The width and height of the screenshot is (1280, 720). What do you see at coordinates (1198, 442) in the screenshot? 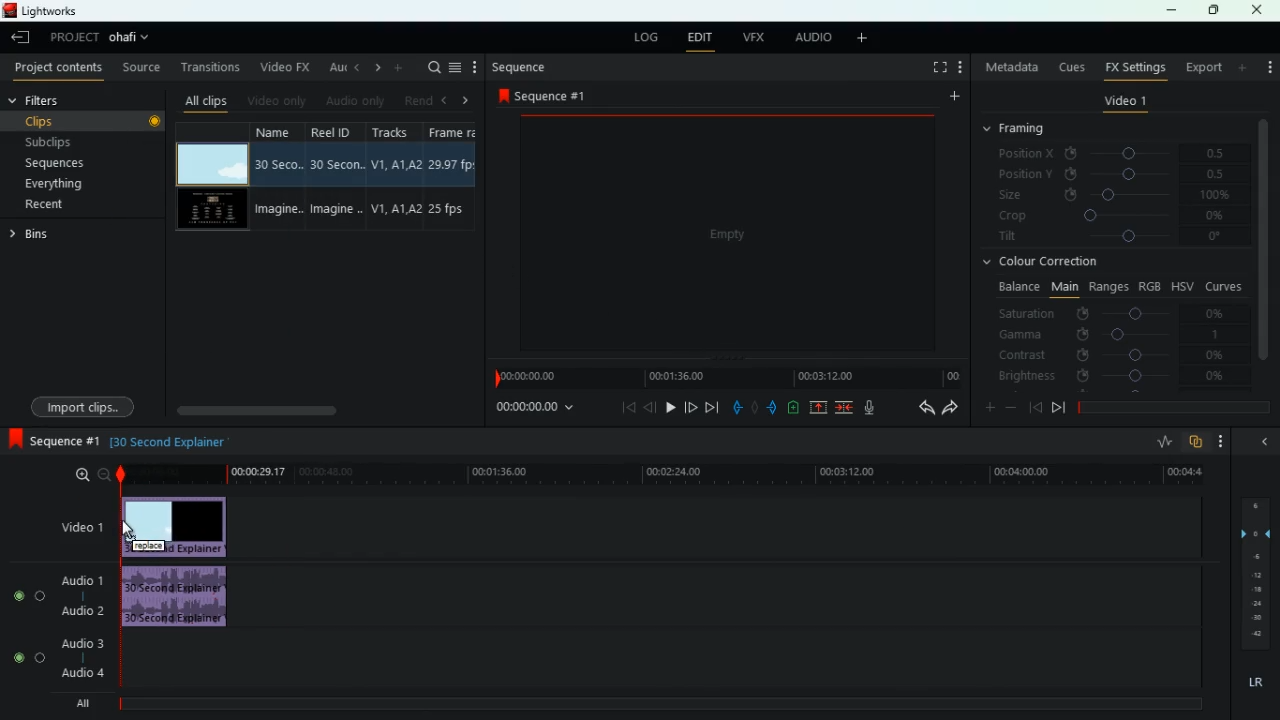
I see `overlap` at bounding box center [1198, 442].